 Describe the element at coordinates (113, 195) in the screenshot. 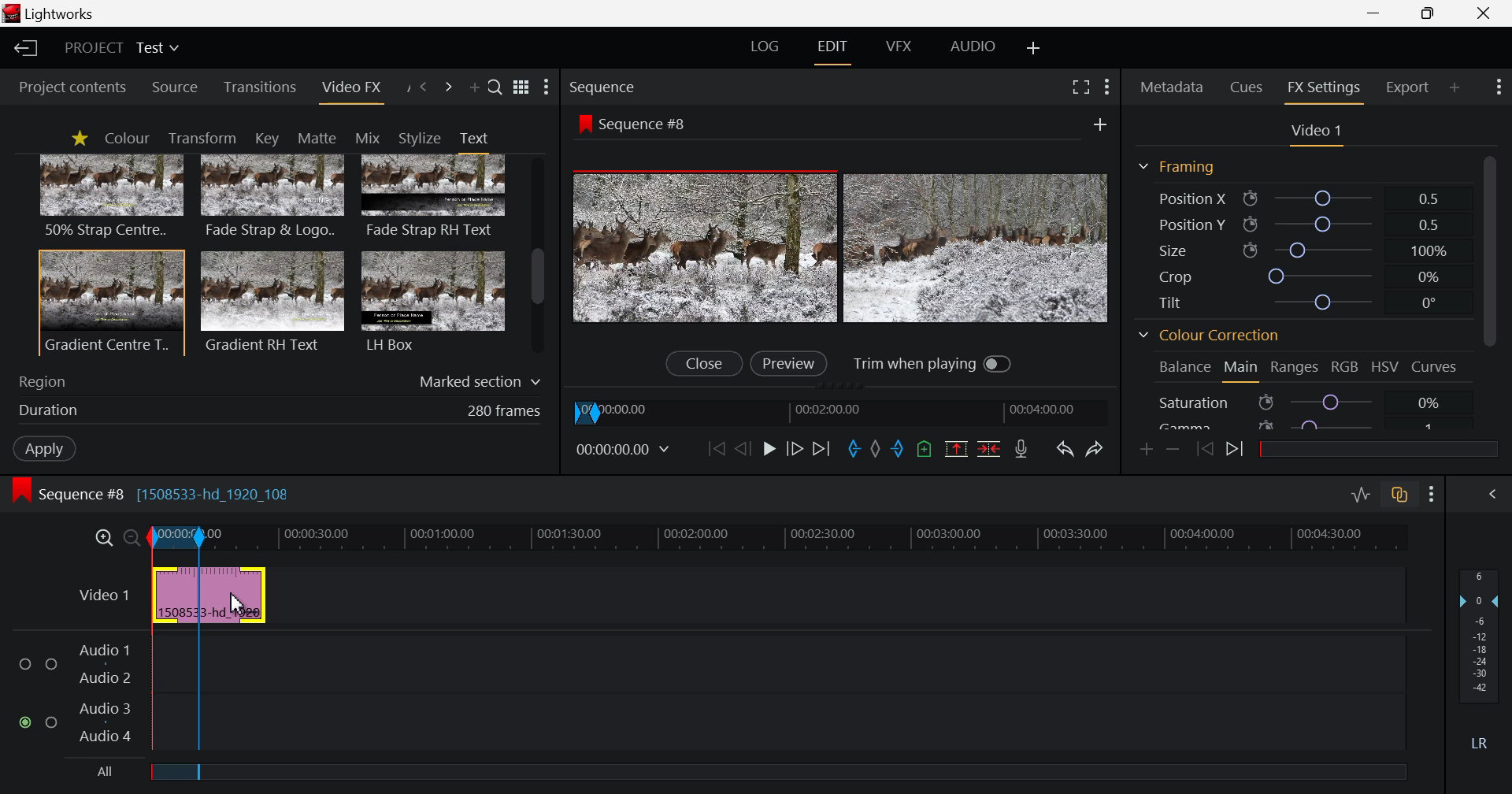

I see `50% Strap centre` at that location.